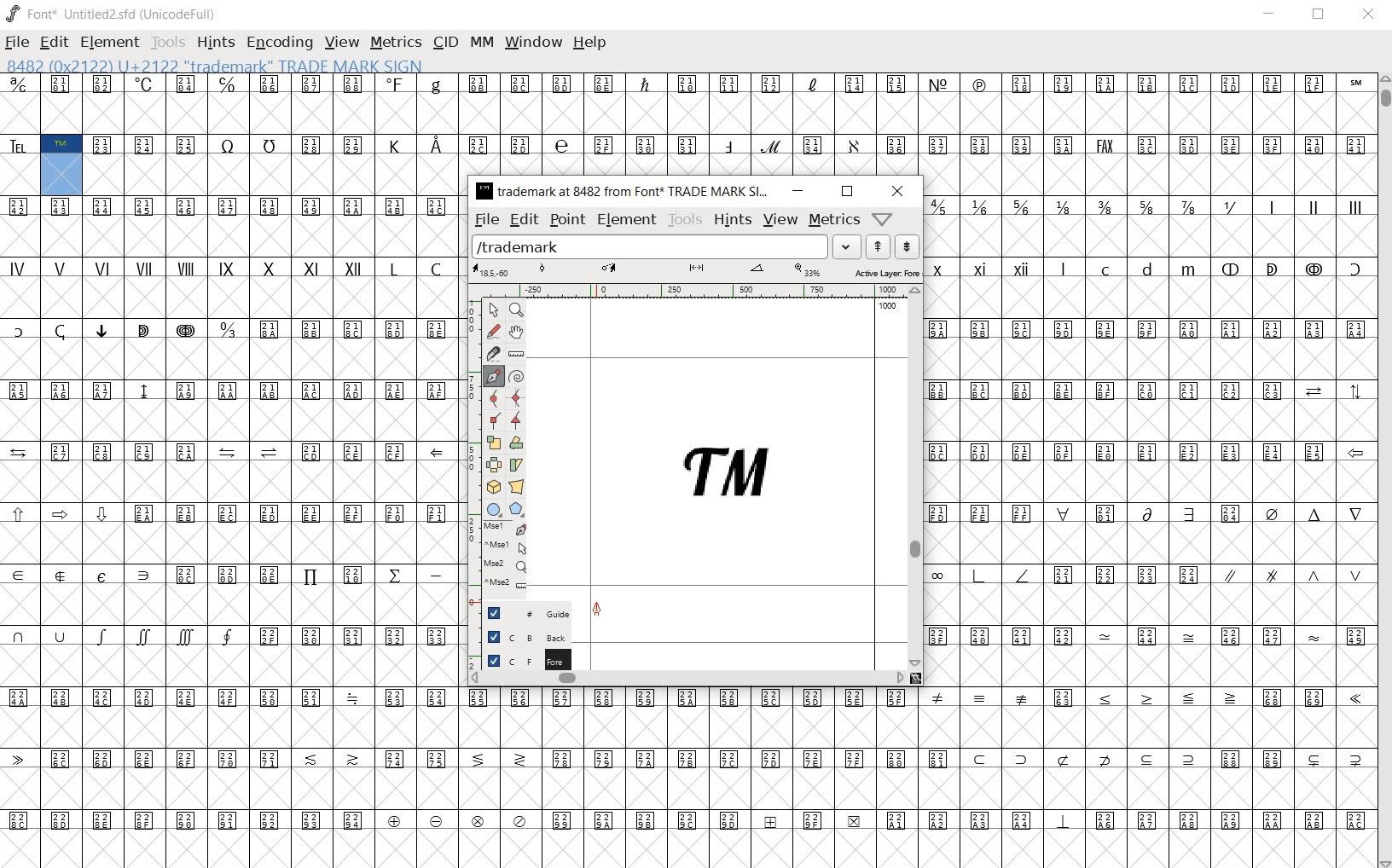 This screenshot has width=1392, height=868. What do you see at coordinates (214, 42) in the screenshot?
I see `HINTS` at bounding box center [214, 42].